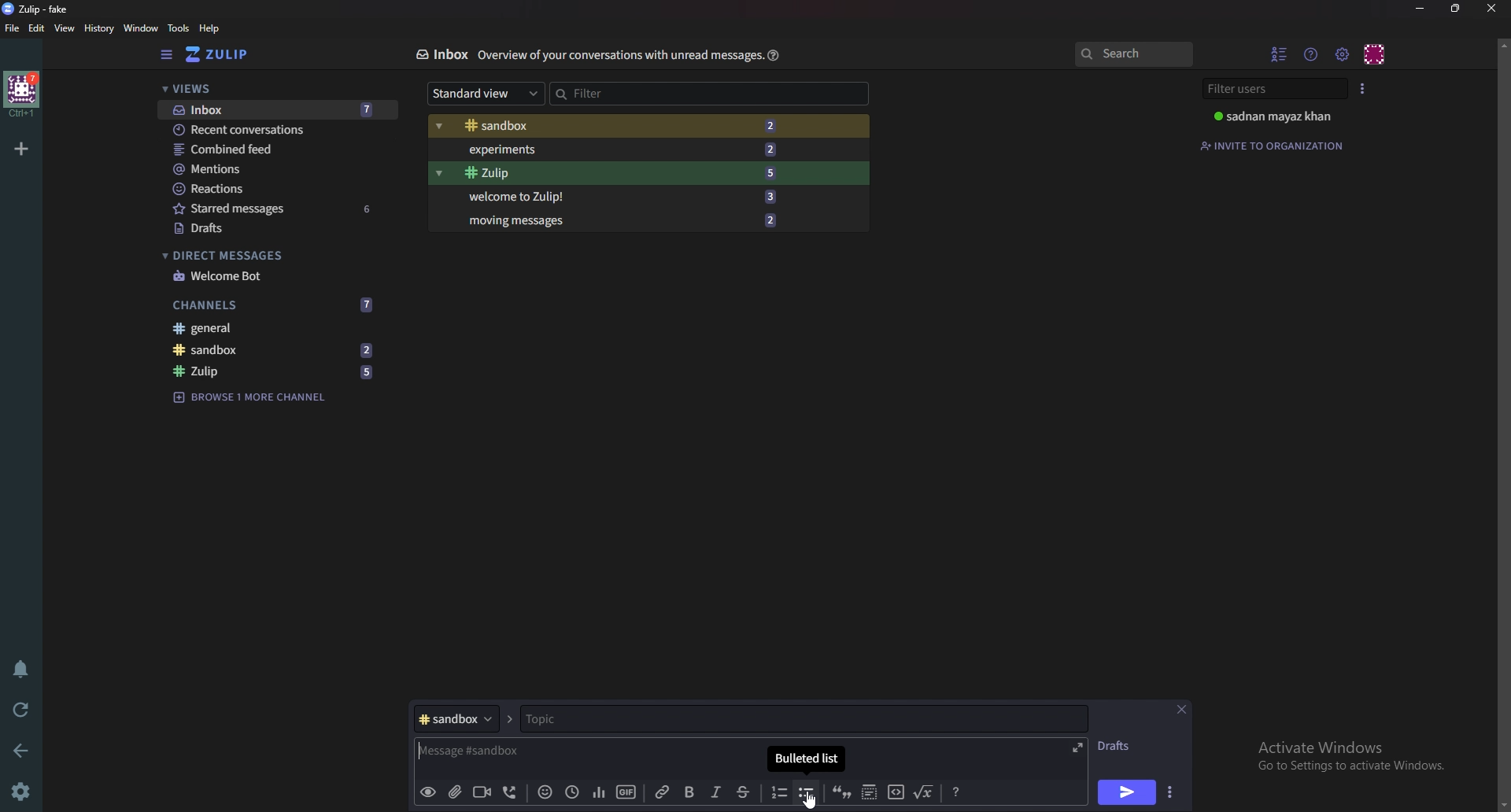 The width and height of the screenshot is (1511, 812). Describe the element at coordinates (273, 349) in the screenshot. I see `Sandbox` at that location.